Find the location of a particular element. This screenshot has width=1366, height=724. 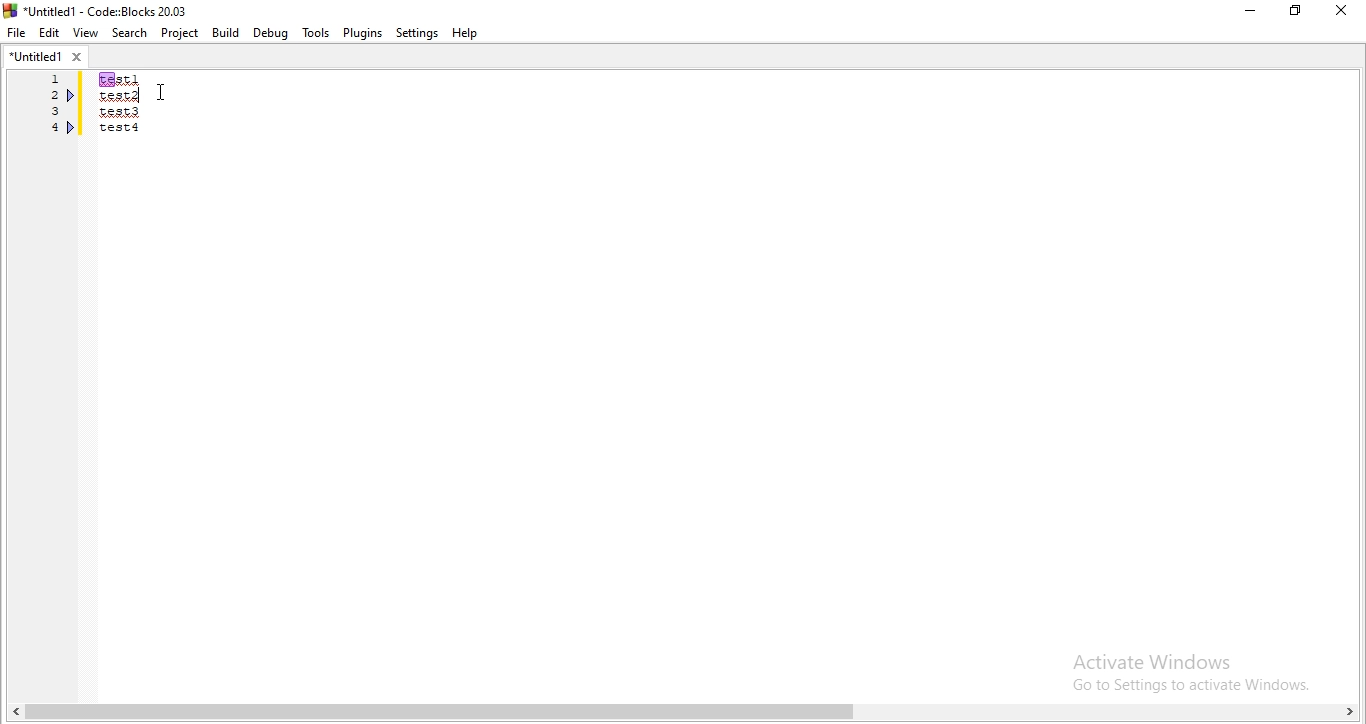

Plugins  is located at coordinates (361, 32).